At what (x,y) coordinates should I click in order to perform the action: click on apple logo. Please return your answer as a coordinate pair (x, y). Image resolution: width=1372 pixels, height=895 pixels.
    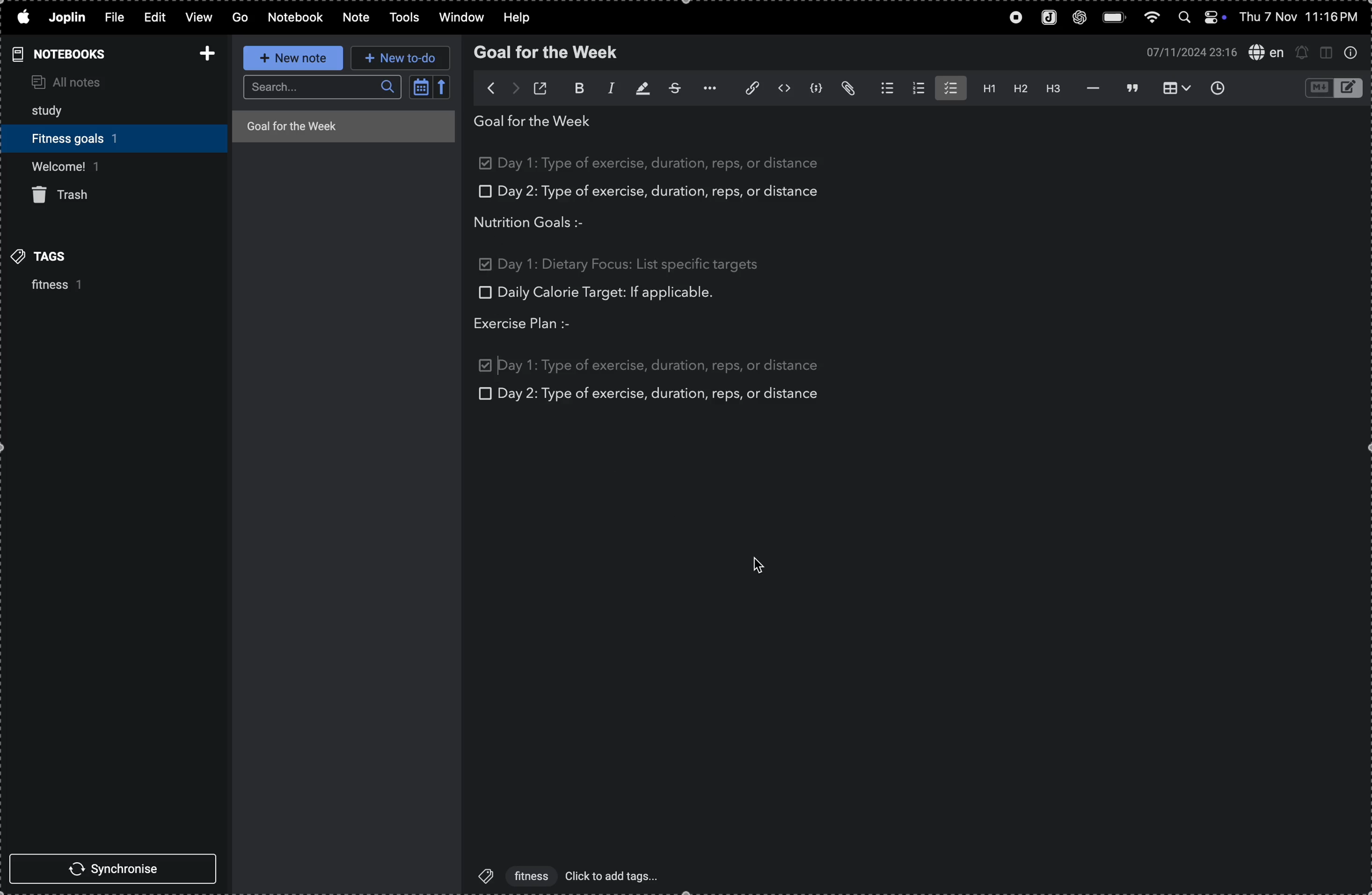
    Looking at the image, I should click on (22, 16).